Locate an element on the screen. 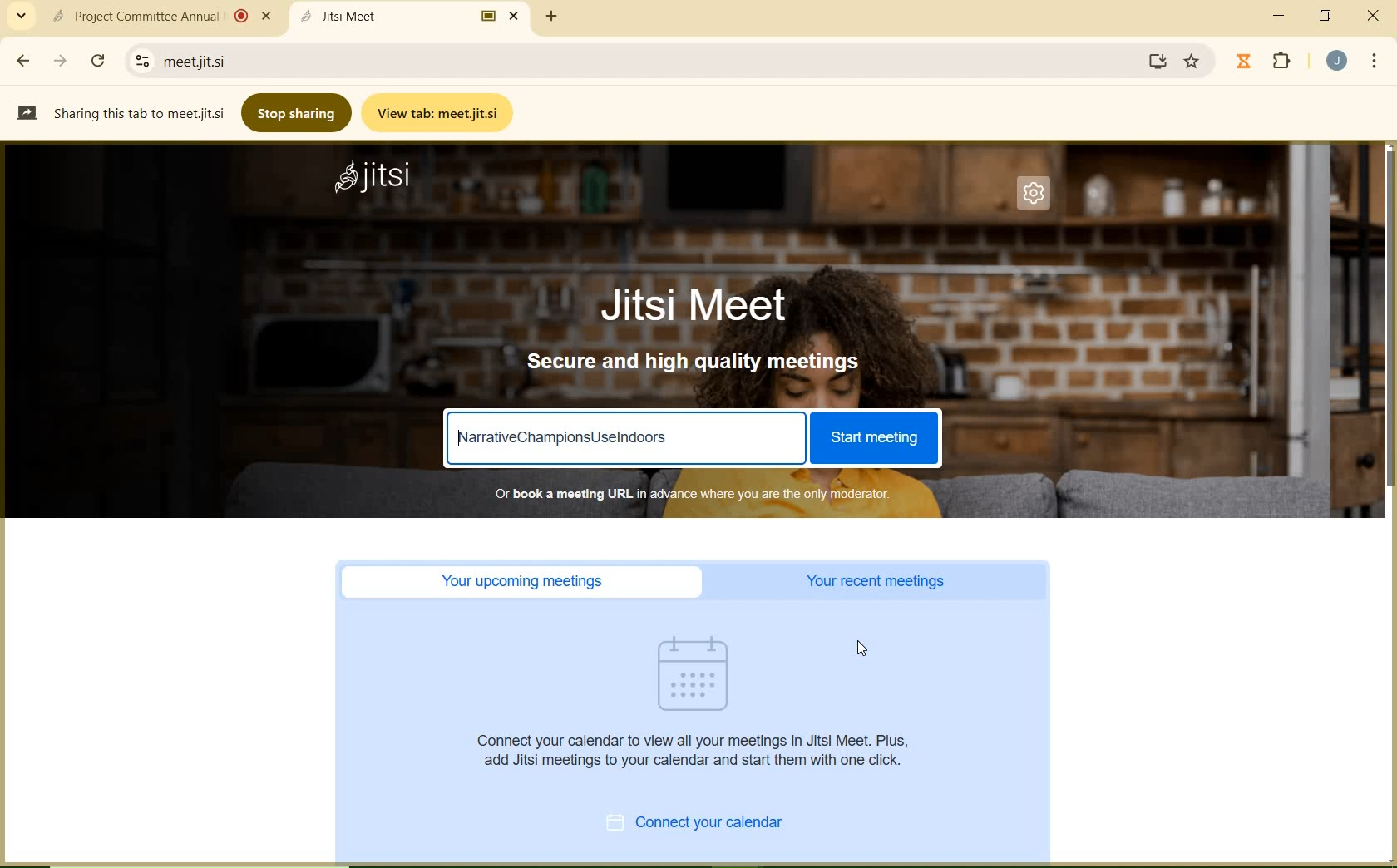 The width and height of the screenshot is (1397, 868). Download webpage is located at coordinates (1159, 62).